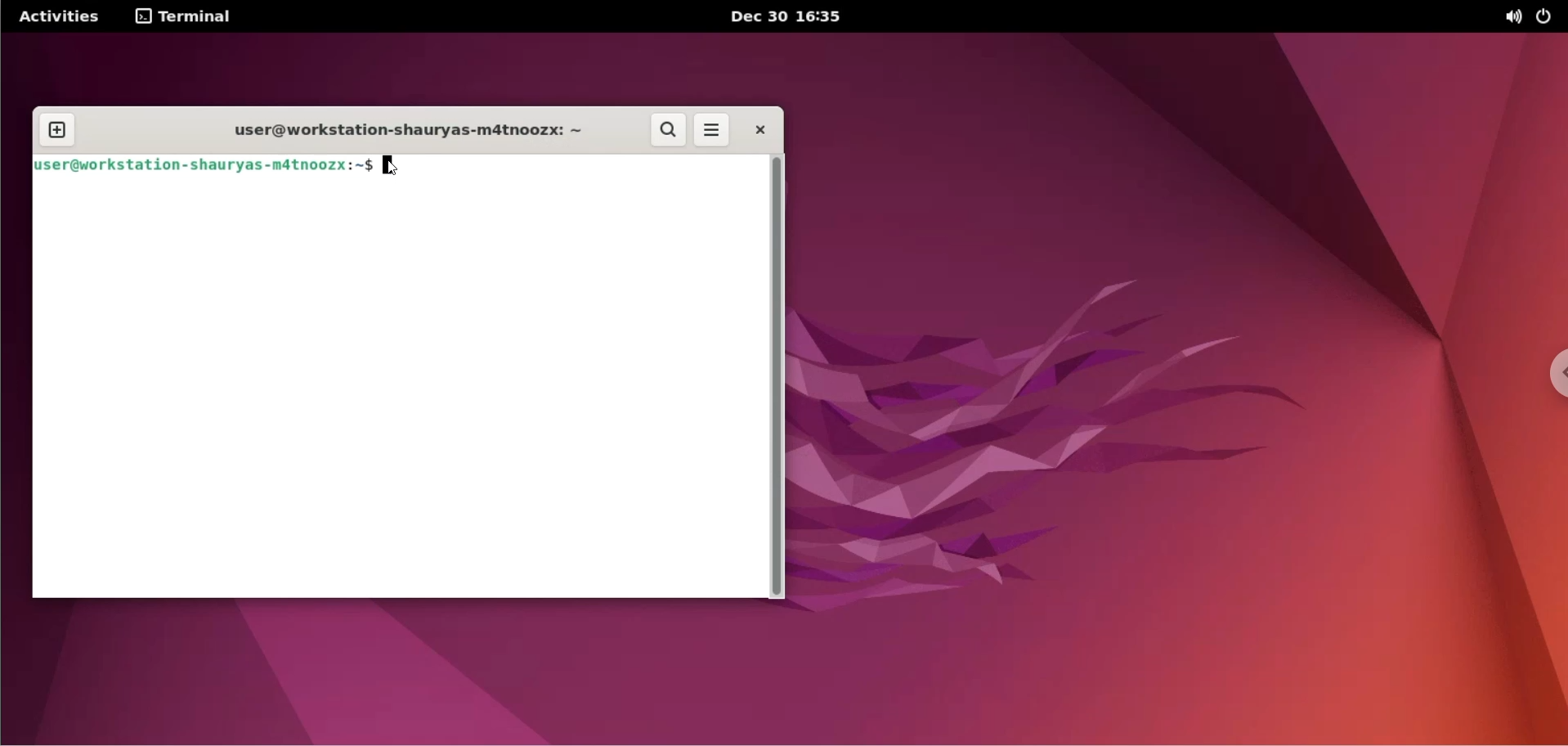 The image size is (1568, 746). Describe the element at coordinates (781, 377) in the screenshot. I see `scrollbar` at that location.